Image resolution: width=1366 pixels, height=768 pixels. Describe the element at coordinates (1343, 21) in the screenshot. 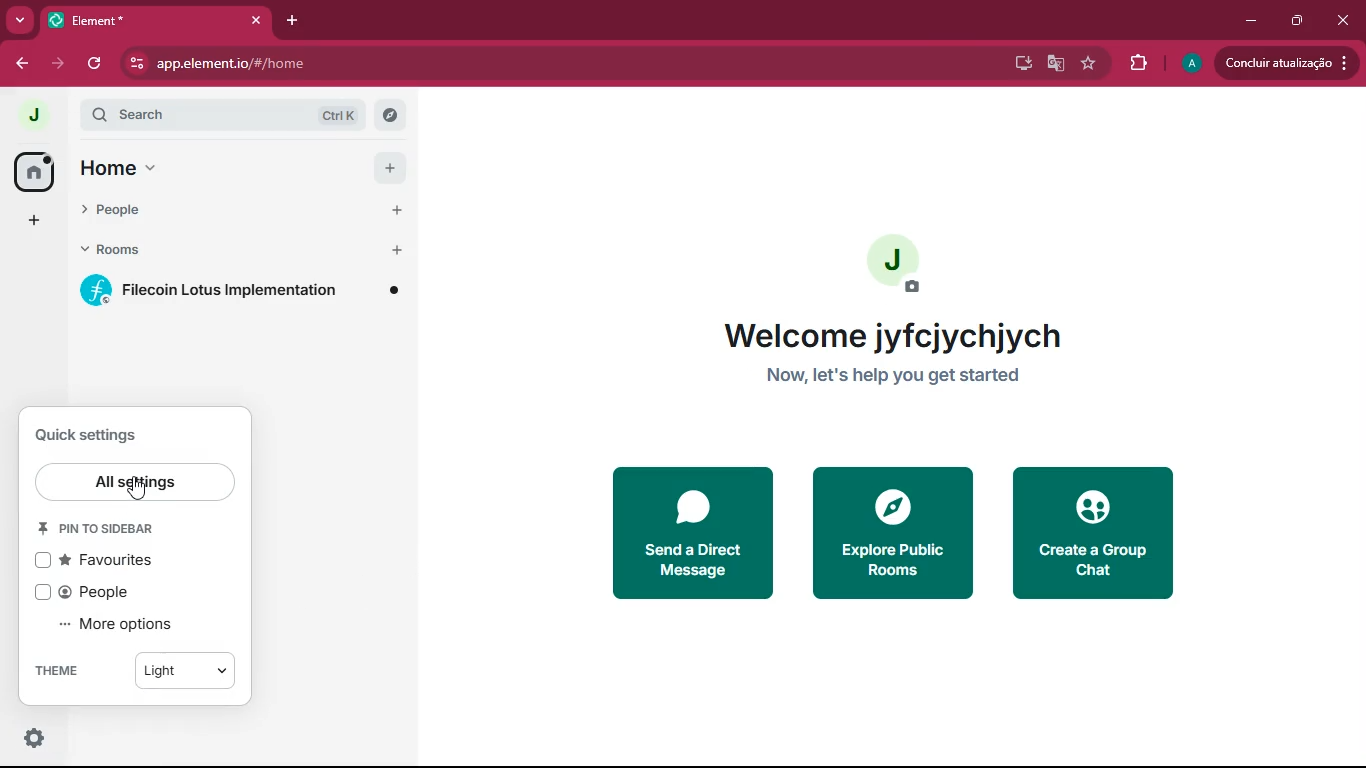

I see `close` at that location.